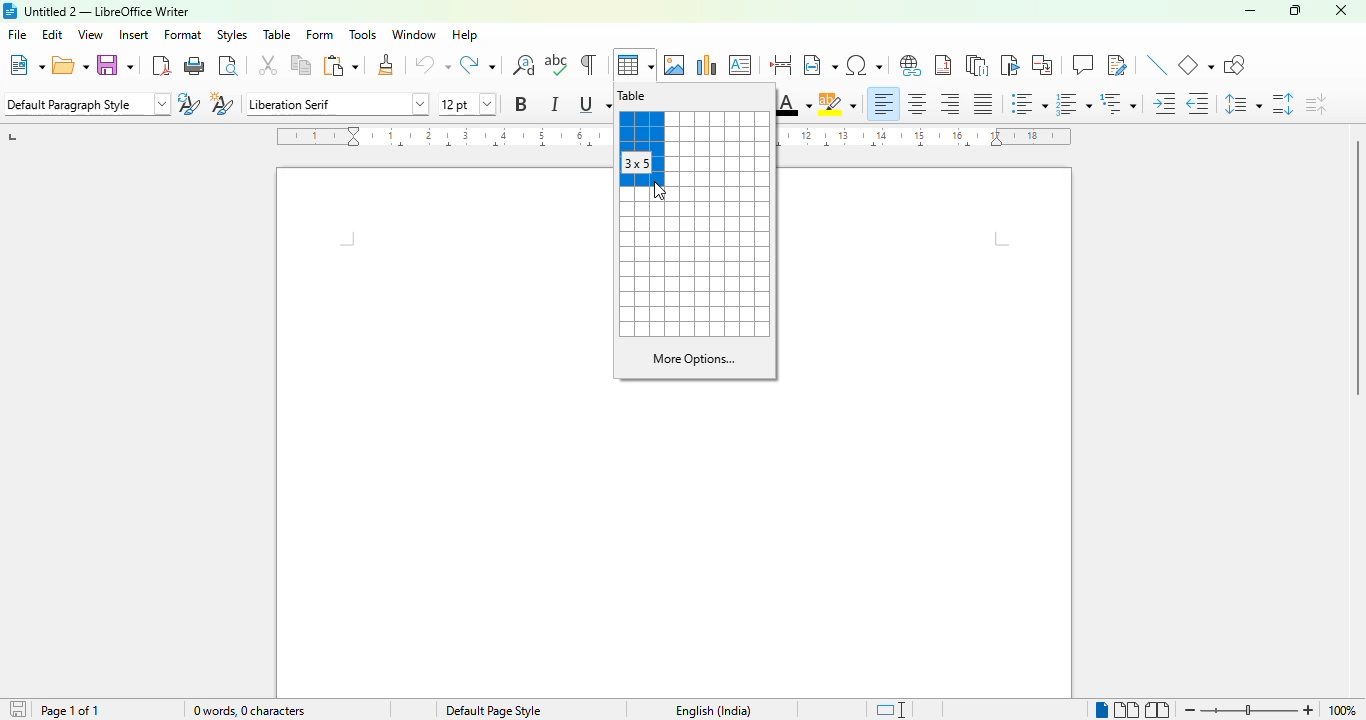  I want to click on close, so click(1342, 10).